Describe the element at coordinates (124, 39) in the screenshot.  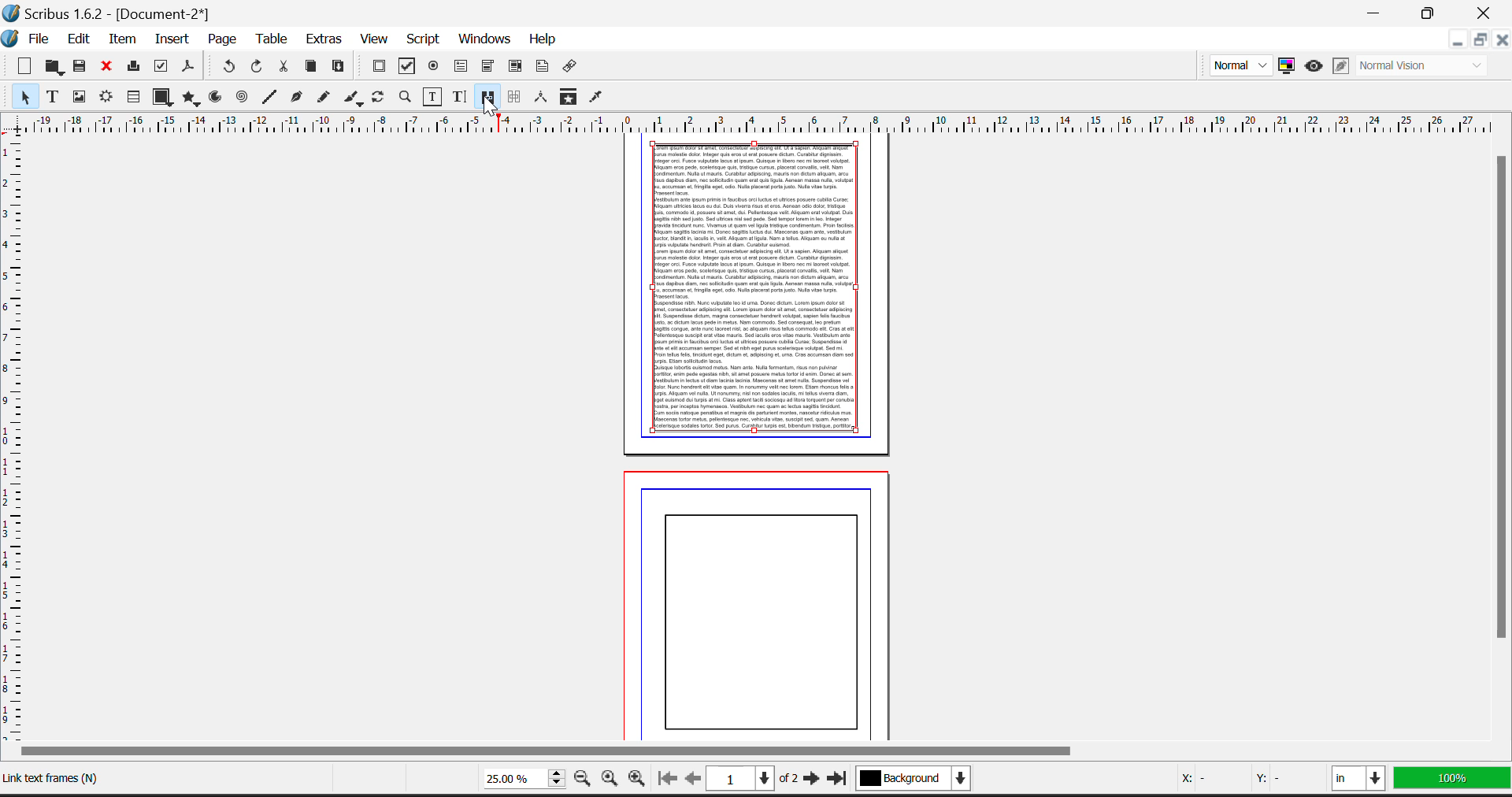
I see `Item` at that location.